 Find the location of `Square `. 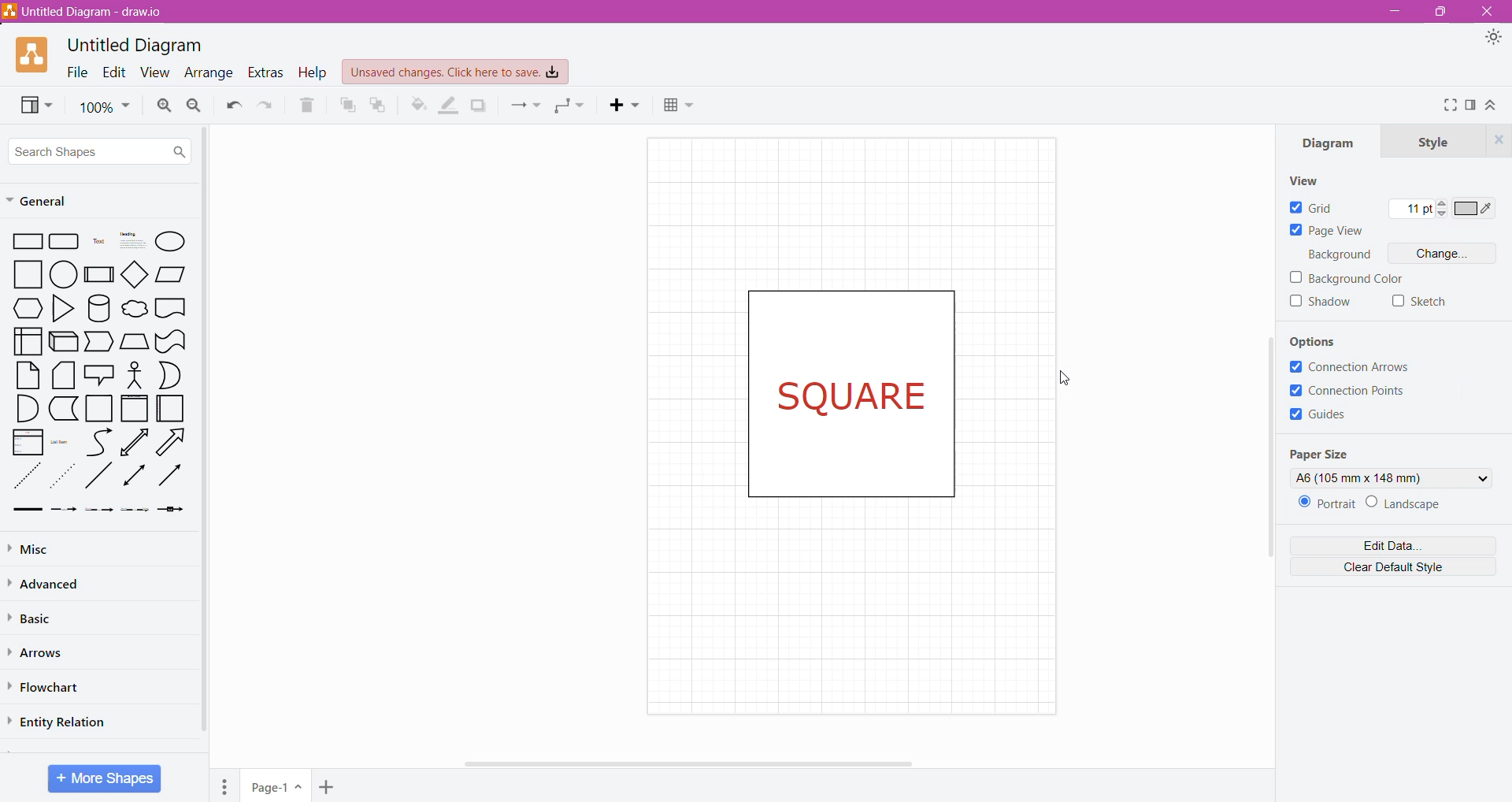

Square  is located at coordinates (98, 408).